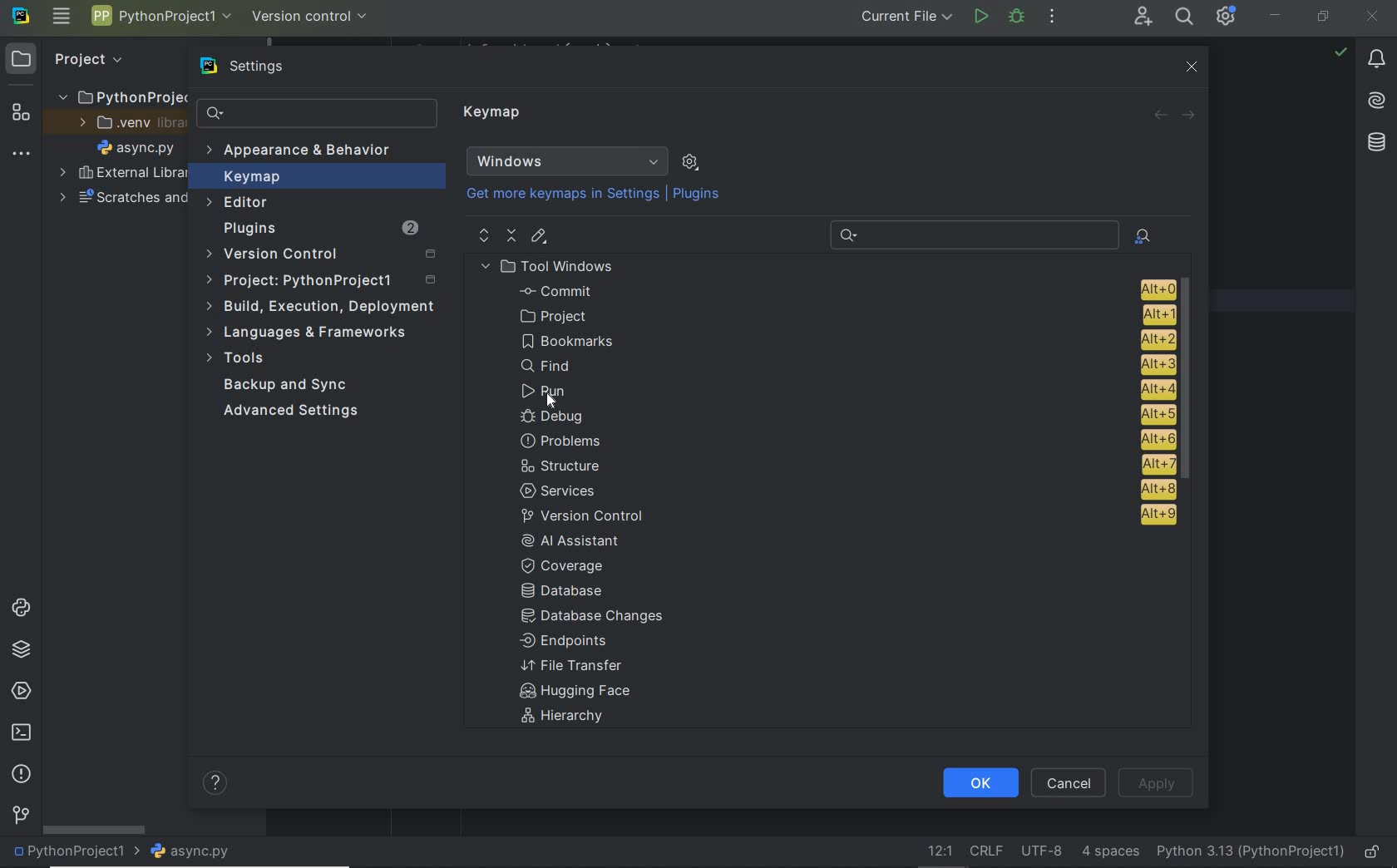 This screenshot has height=868, width=1397. What do you see at coordinates (1324, 17) in the screenshot?
I see `restore down` at bounding box center [1324, 17].